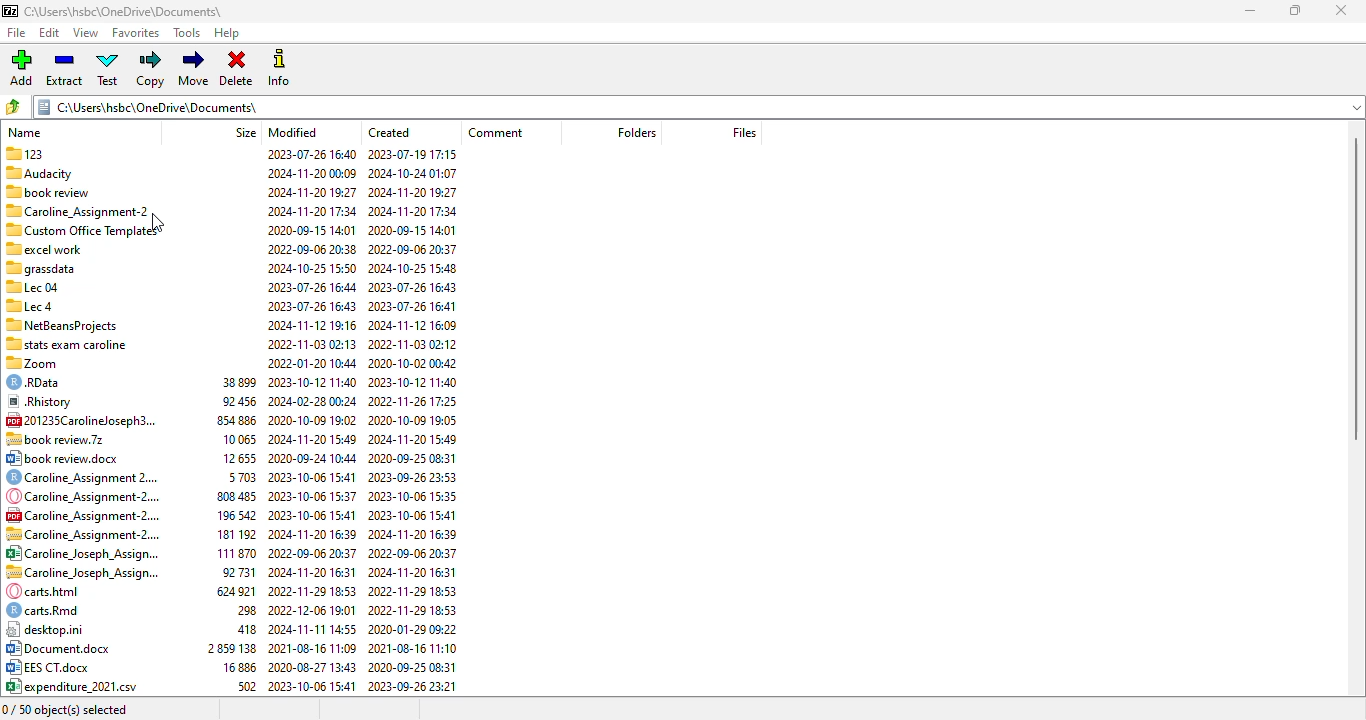  I want to click on 2024-11-20 15:49., so click(311, 441).